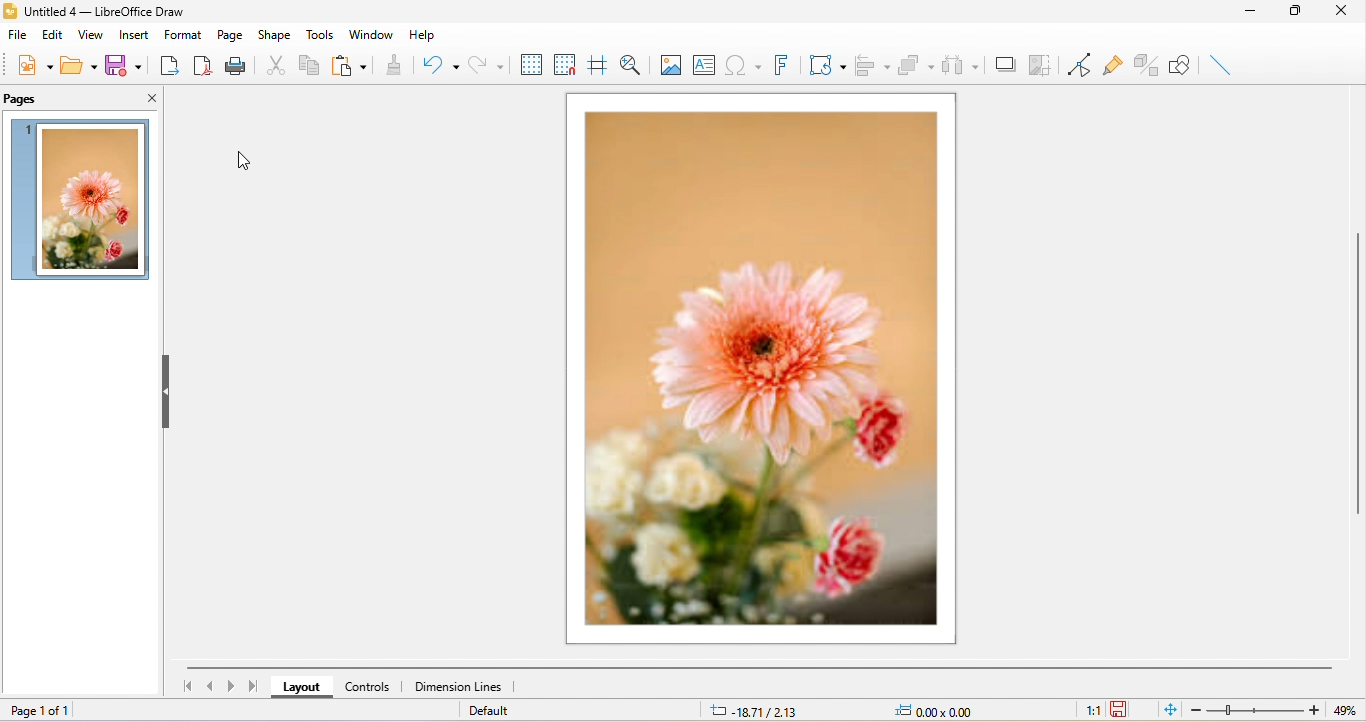 The height and width of the screenshot is (722, 1366). I want to click on vertical scroll bar, so click(1357, 378).